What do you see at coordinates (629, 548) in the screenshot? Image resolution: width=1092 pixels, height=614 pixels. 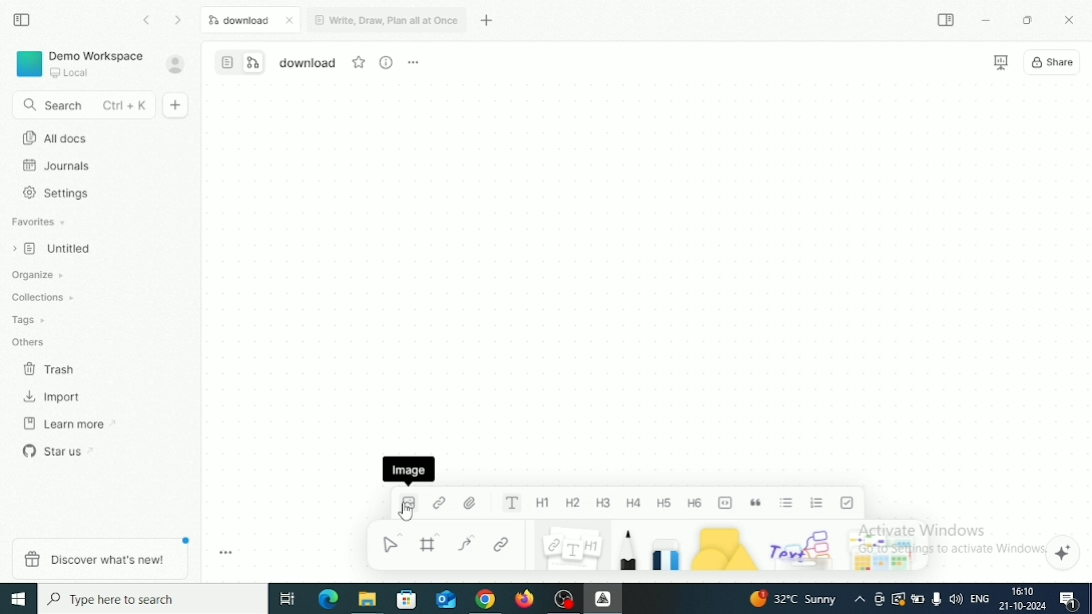 I see `Pen` at bounding box center [629, 548].